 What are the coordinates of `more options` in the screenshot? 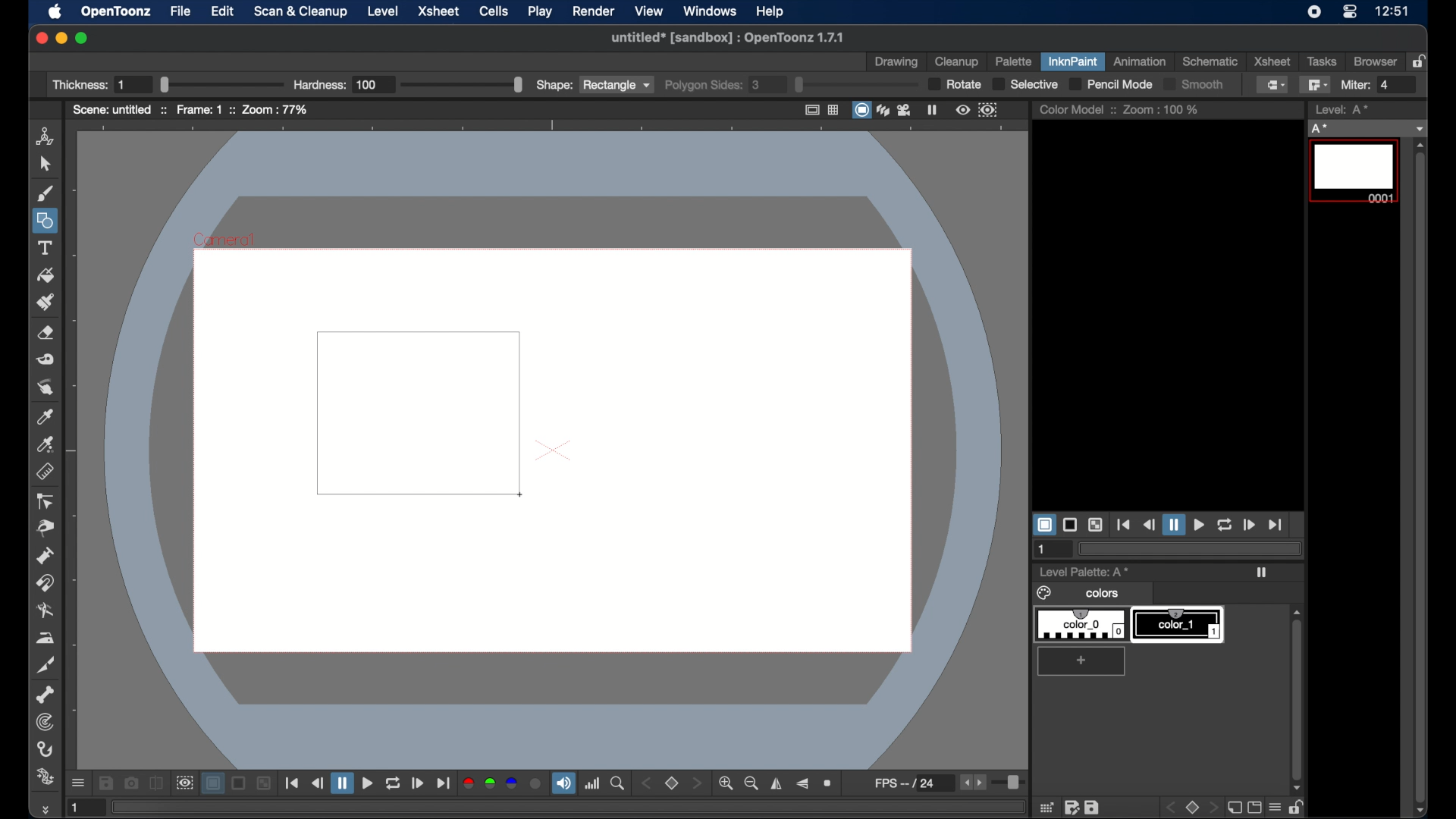 It's located at (78, 784).